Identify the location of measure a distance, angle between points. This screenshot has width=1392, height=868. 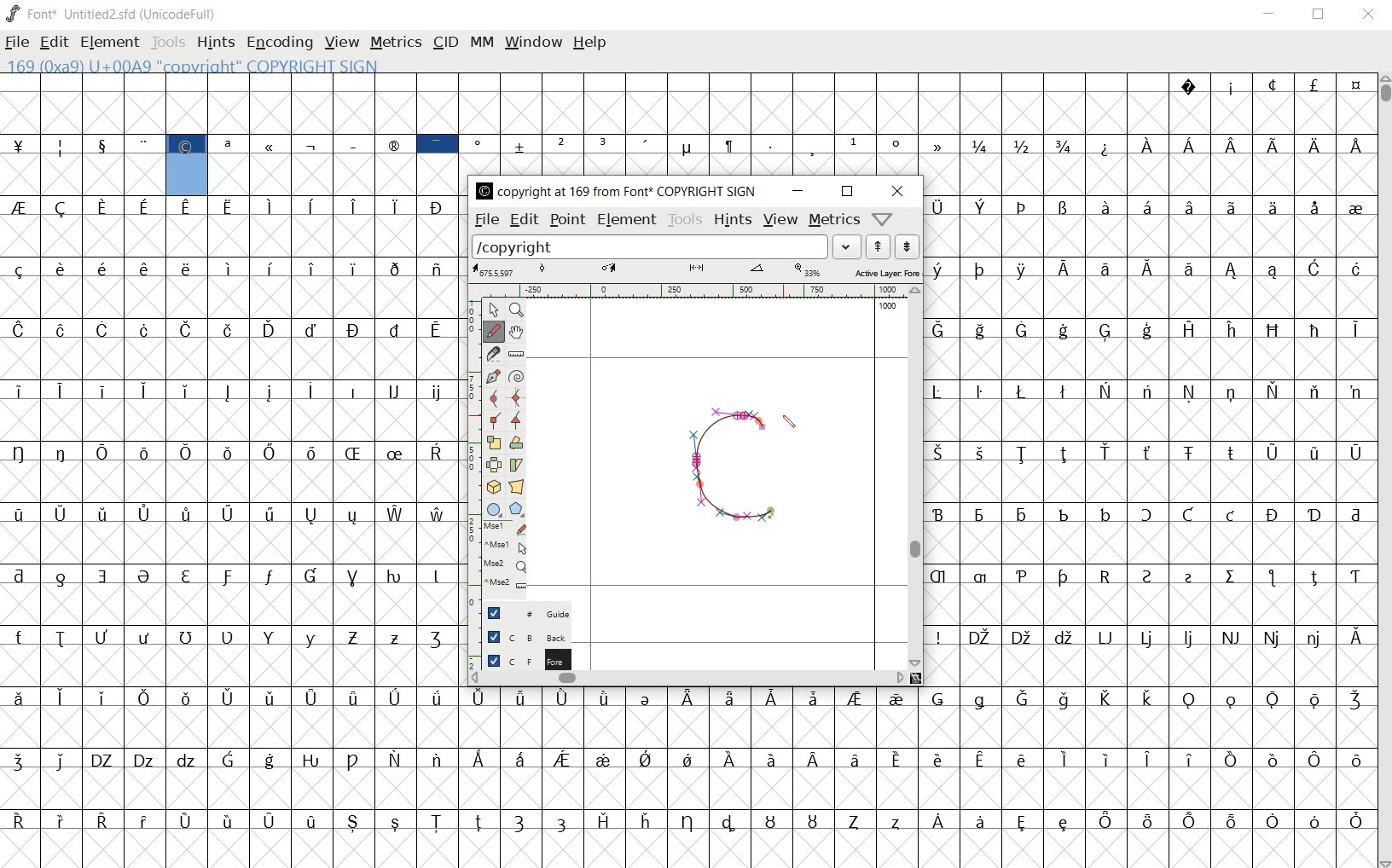
(516, 355).